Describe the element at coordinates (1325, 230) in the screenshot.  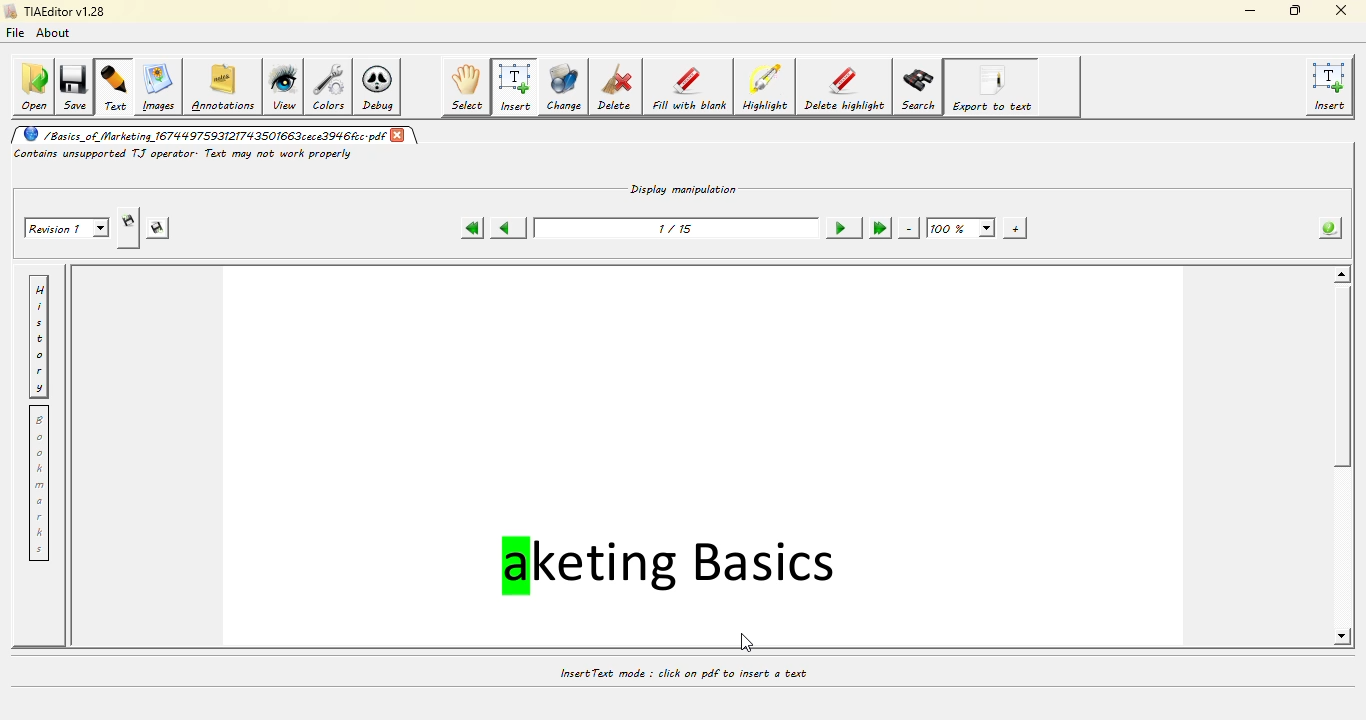
I see `info about the pdf` at that location.